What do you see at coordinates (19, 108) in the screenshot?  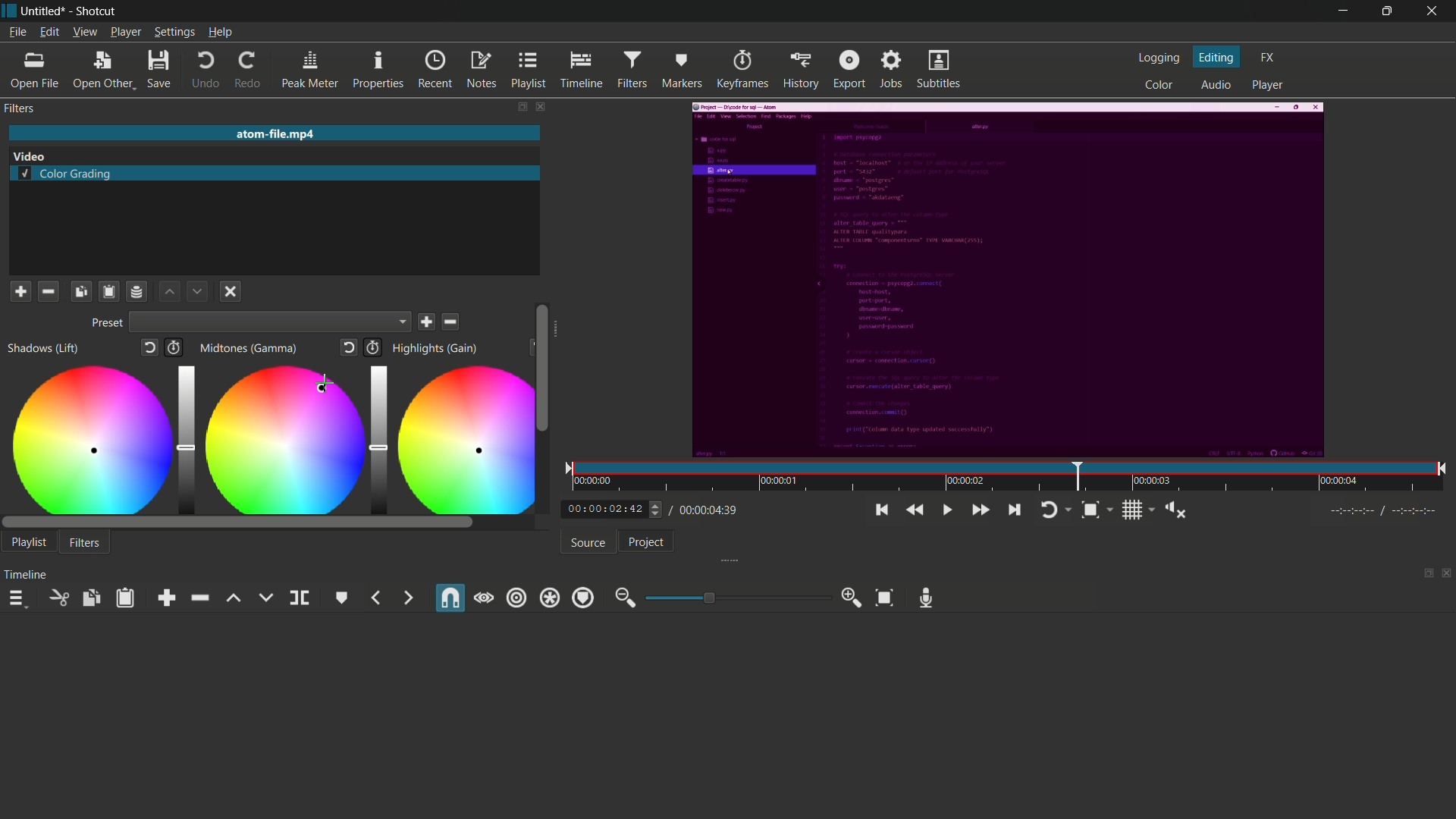 I see `filters` at bounding box center [19, 108].